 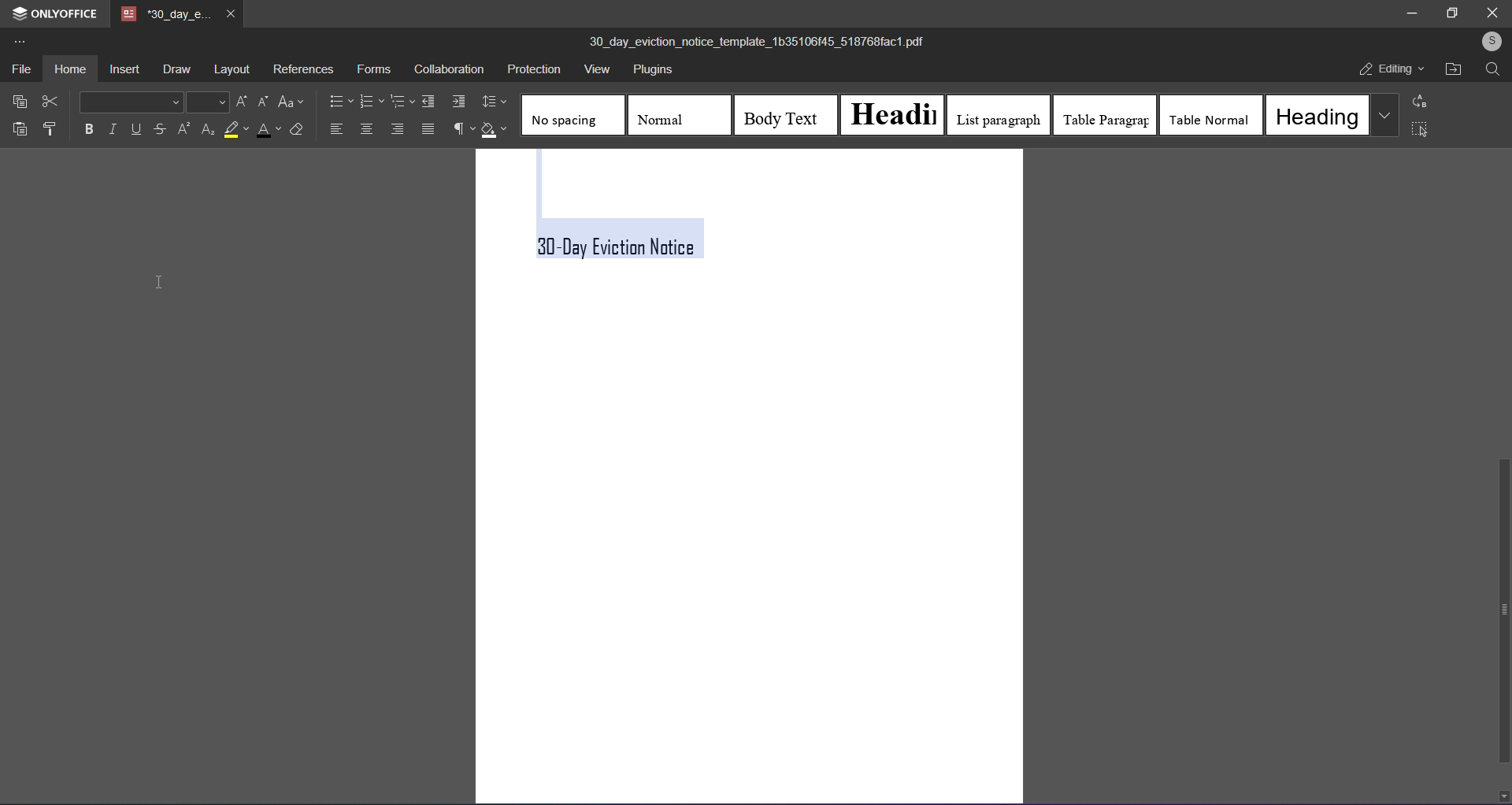 I want to click on plugins, so click(x=650, y=72).